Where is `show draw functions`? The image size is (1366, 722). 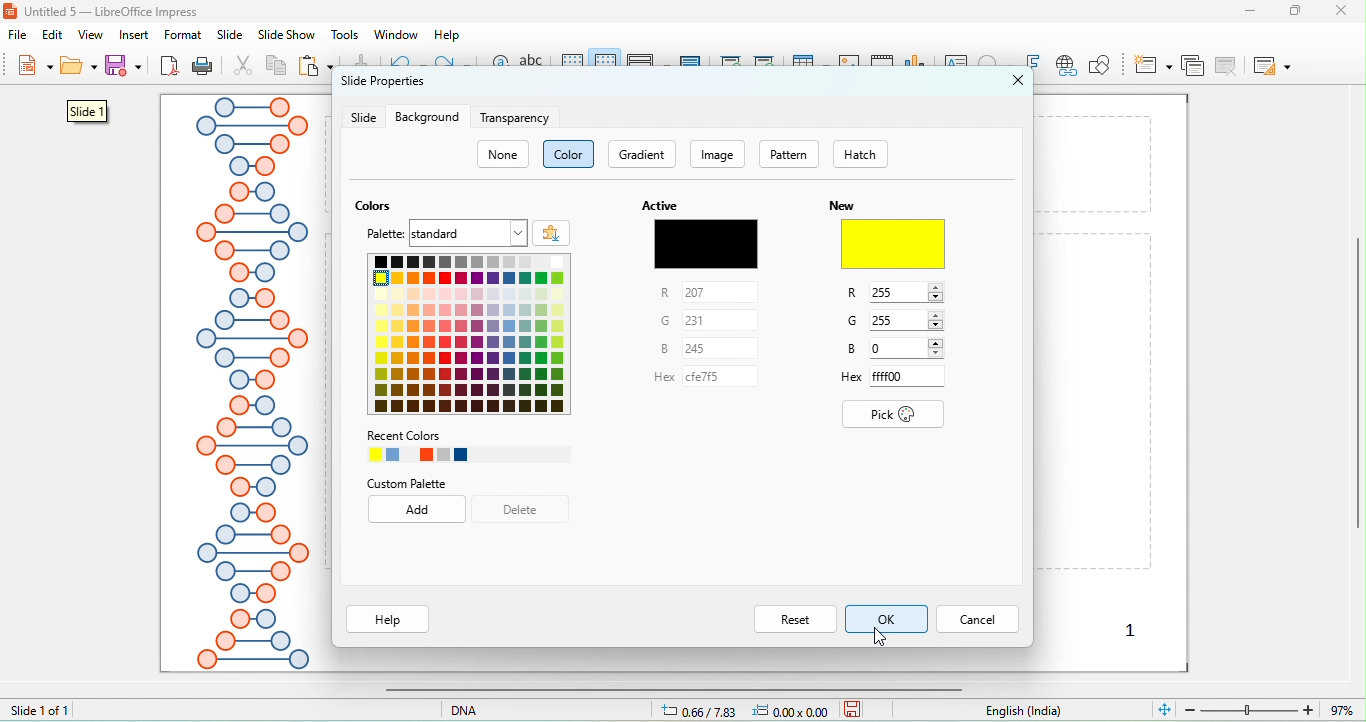
show draw functions is located at coordinates (1099, 65).